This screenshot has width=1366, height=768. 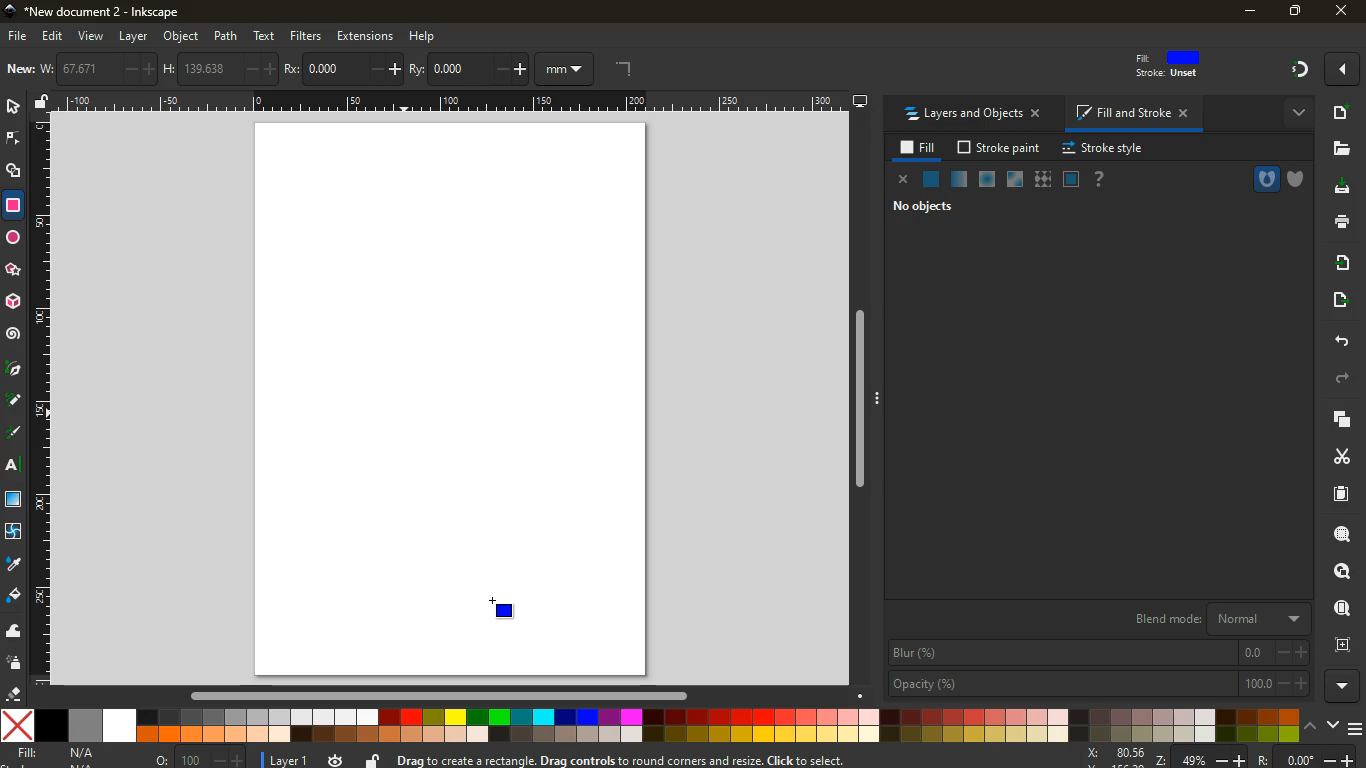 I want to click on angle, so click(x=628, y=70).